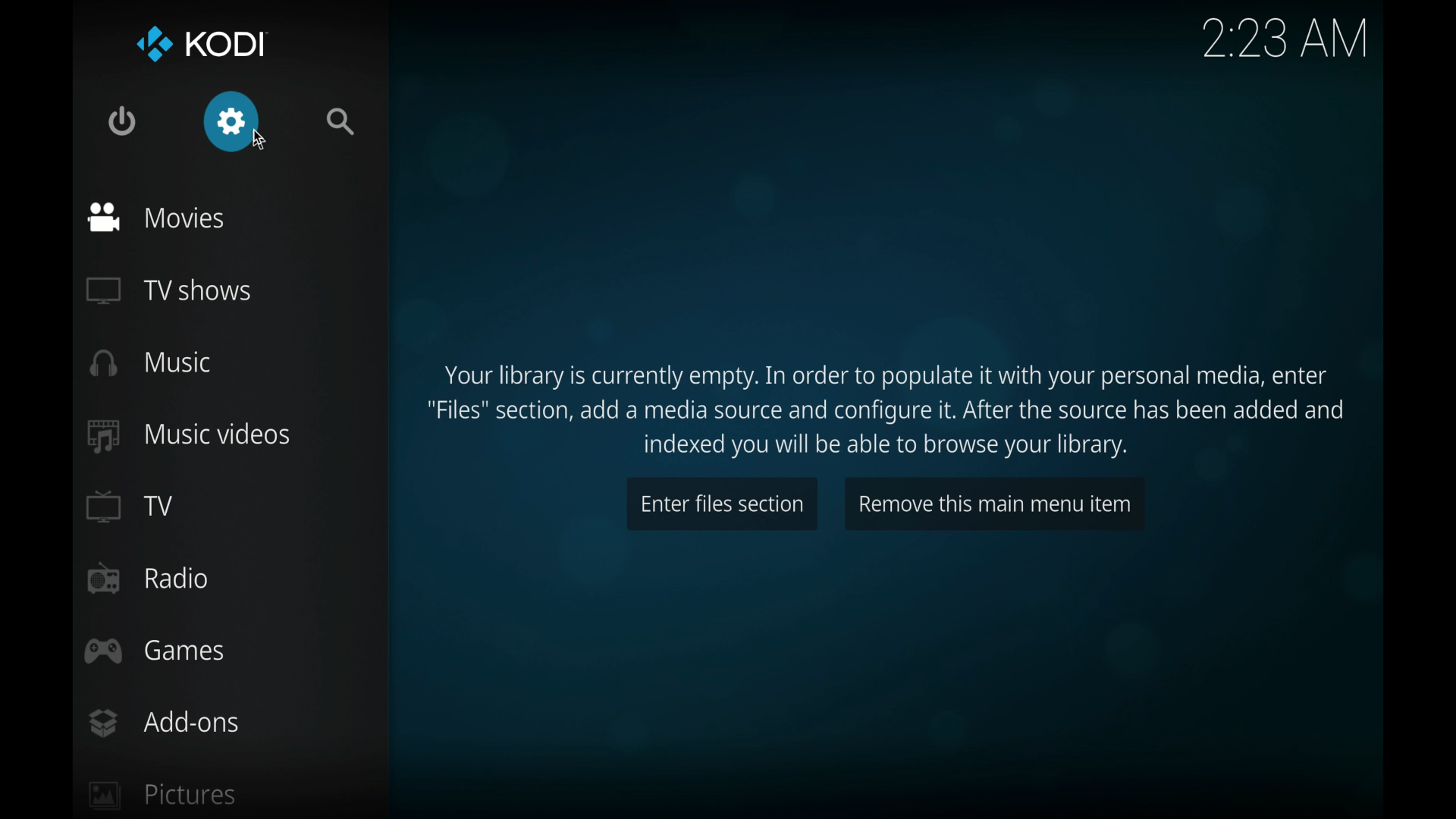  Describe the element at coordinates (265, 149) in the screenshot. I see `cursor` at that location.